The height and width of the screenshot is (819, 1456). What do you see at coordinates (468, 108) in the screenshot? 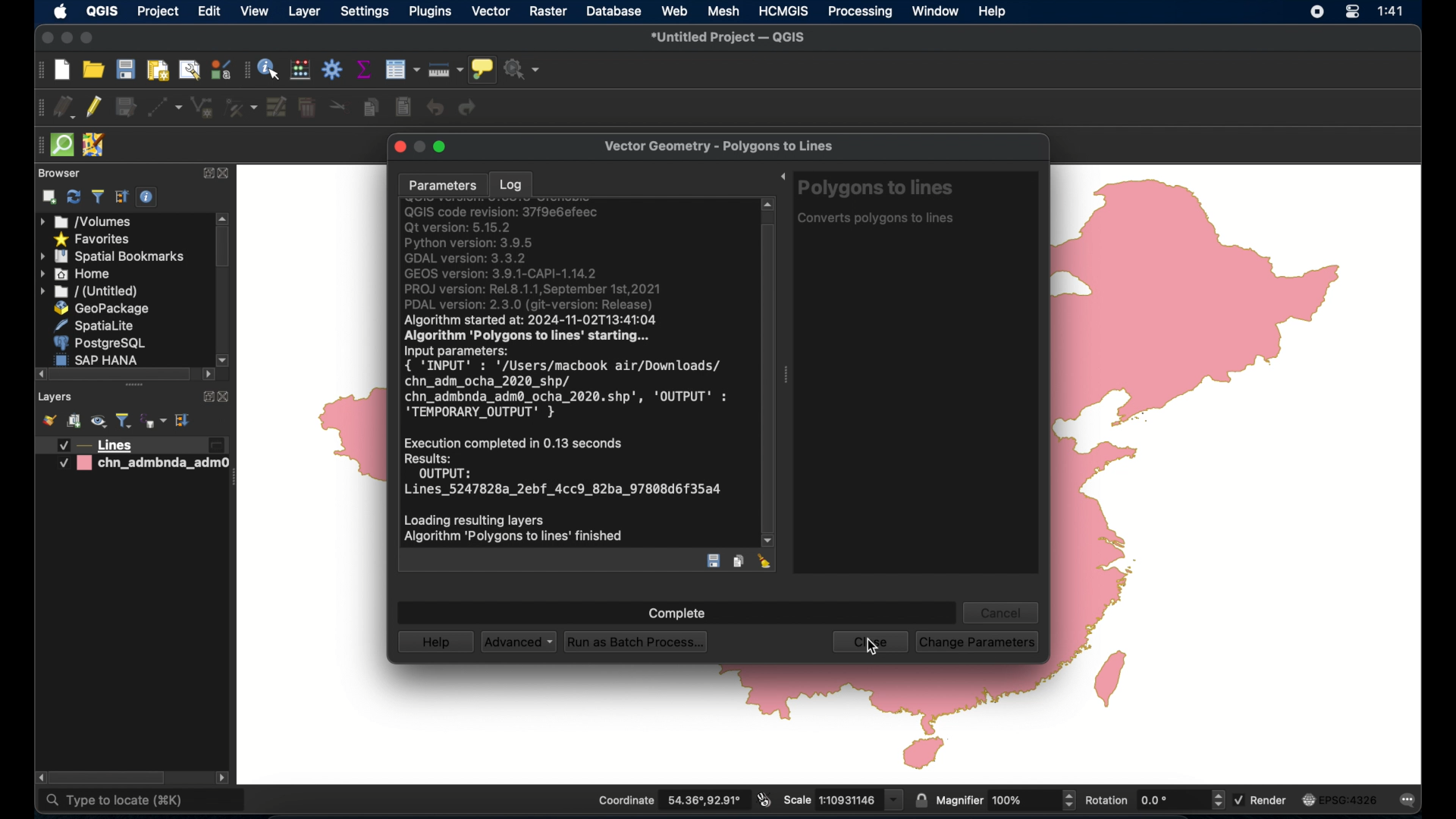
I see `redo` at bounding box center [468, 108].